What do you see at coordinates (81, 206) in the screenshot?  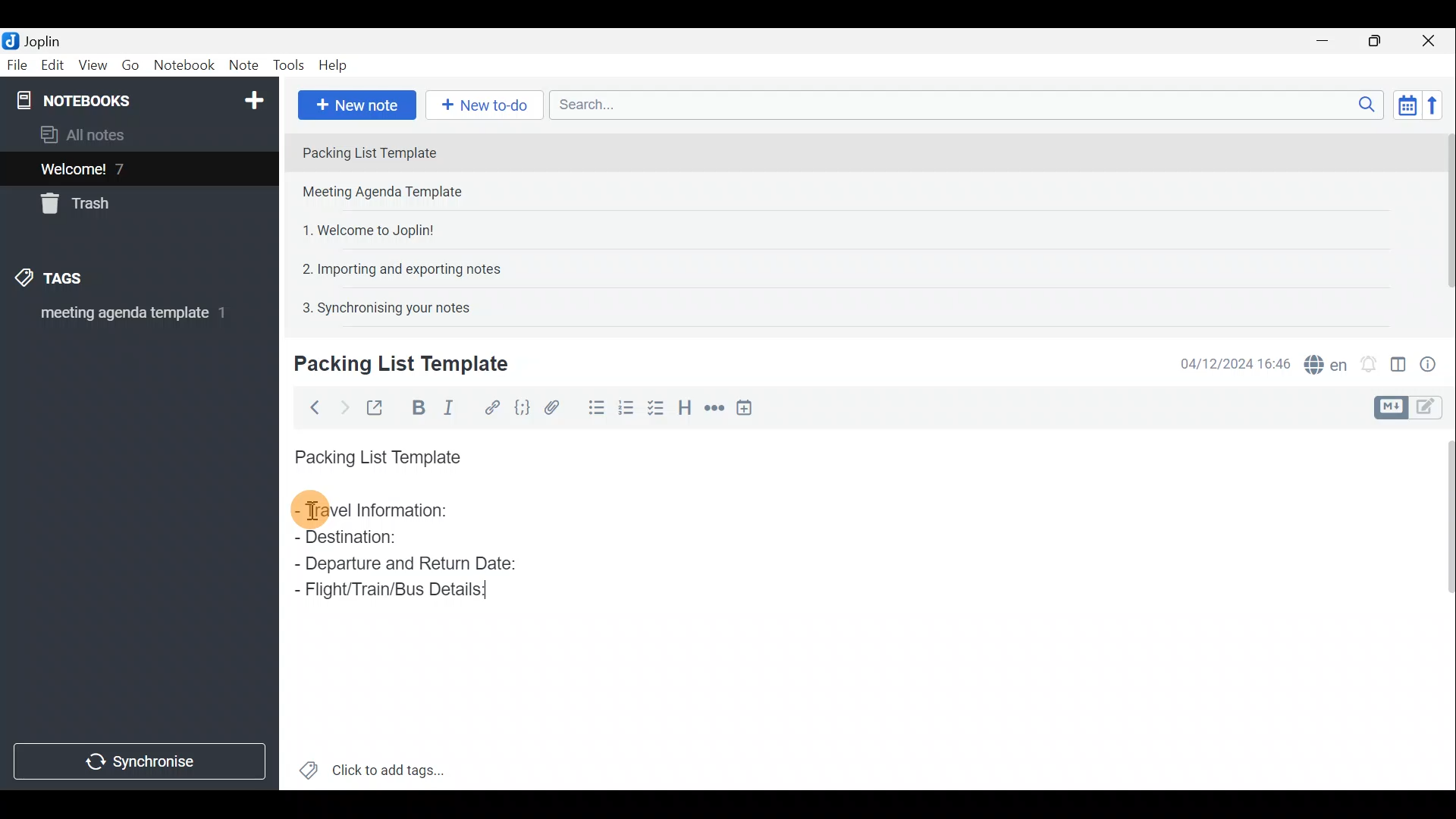 I see `Trash` at bounding box center [81, 206].